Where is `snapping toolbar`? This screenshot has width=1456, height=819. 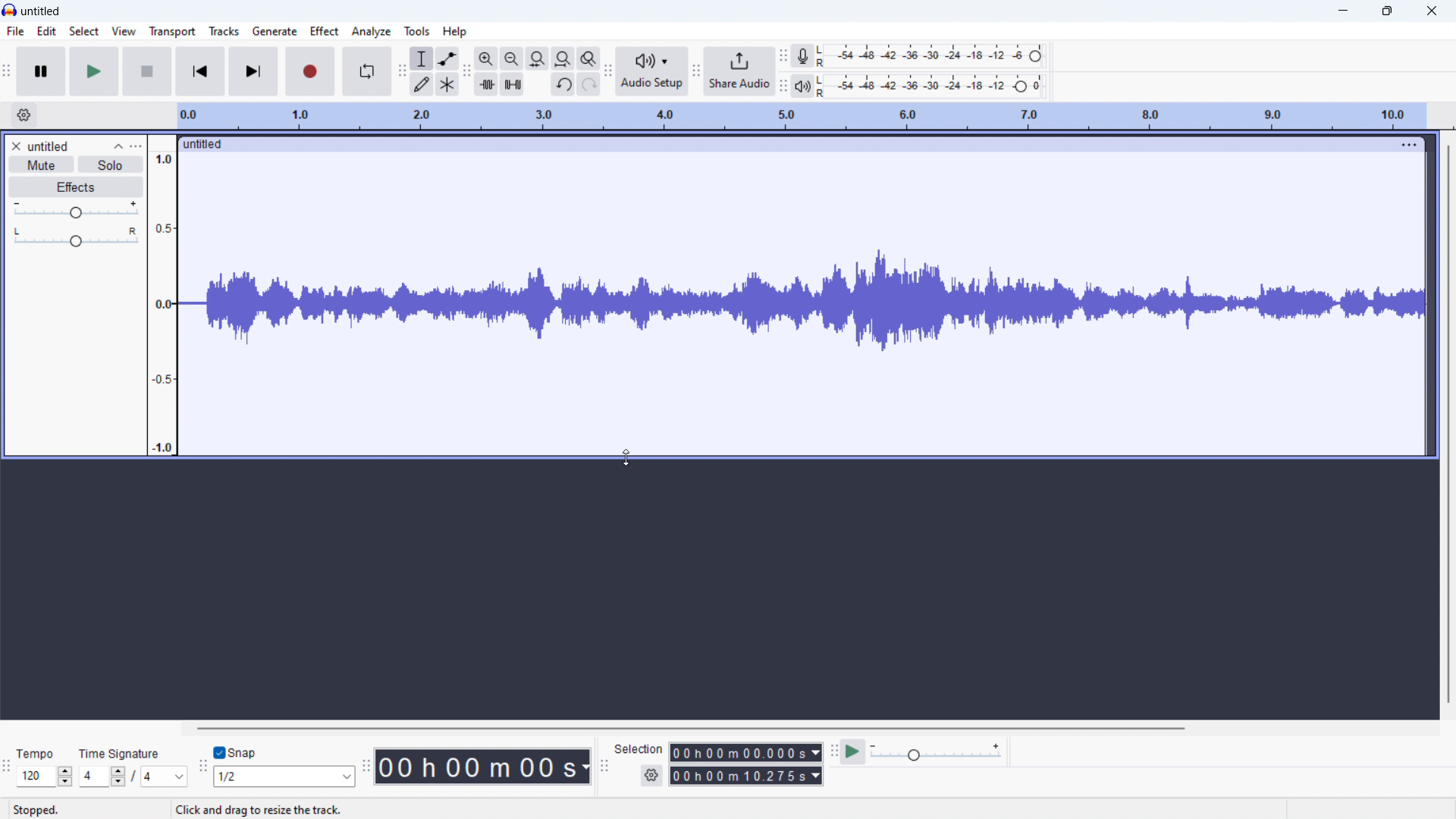 snapping toolbar is located at coordinates (202, 769).